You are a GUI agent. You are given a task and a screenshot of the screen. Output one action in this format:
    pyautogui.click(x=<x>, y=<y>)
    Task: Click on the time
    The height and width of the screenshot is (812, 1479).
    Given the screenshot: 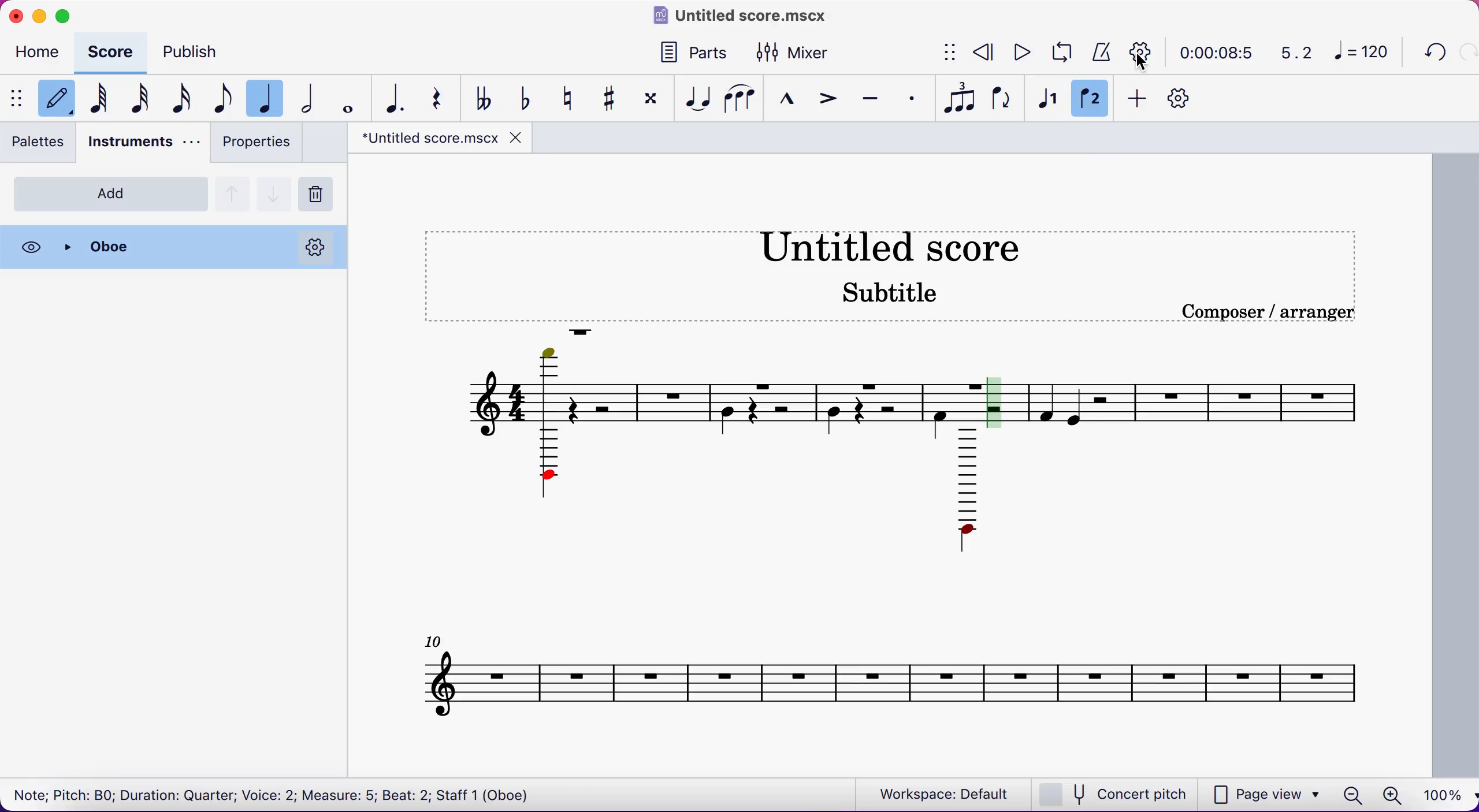 What is the action you would take?
    pyautogui.click(x=1214, y=52)
    